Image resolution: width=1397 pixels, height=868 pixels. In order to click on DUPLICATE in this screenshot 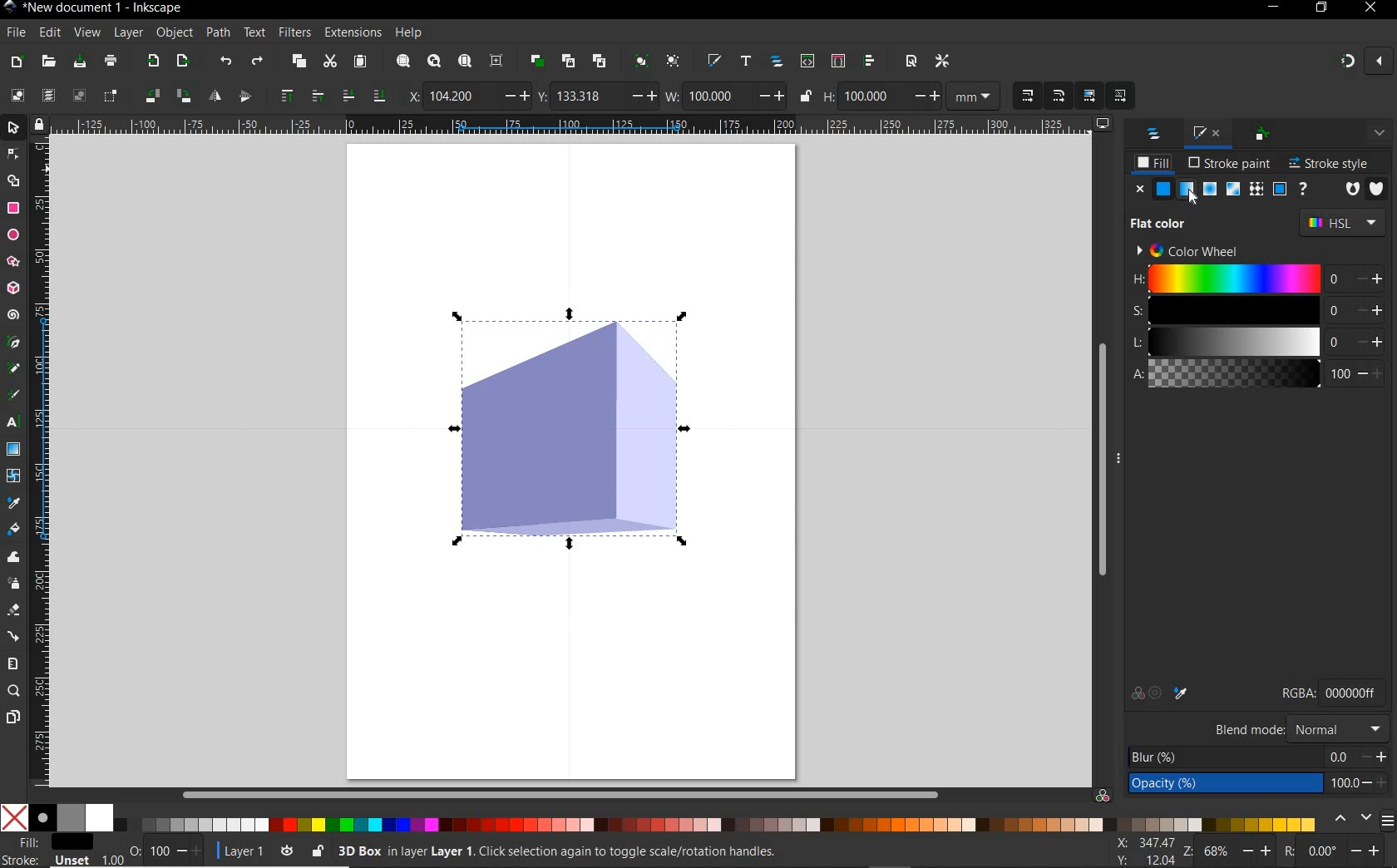, I will do `click(536, 61)`.